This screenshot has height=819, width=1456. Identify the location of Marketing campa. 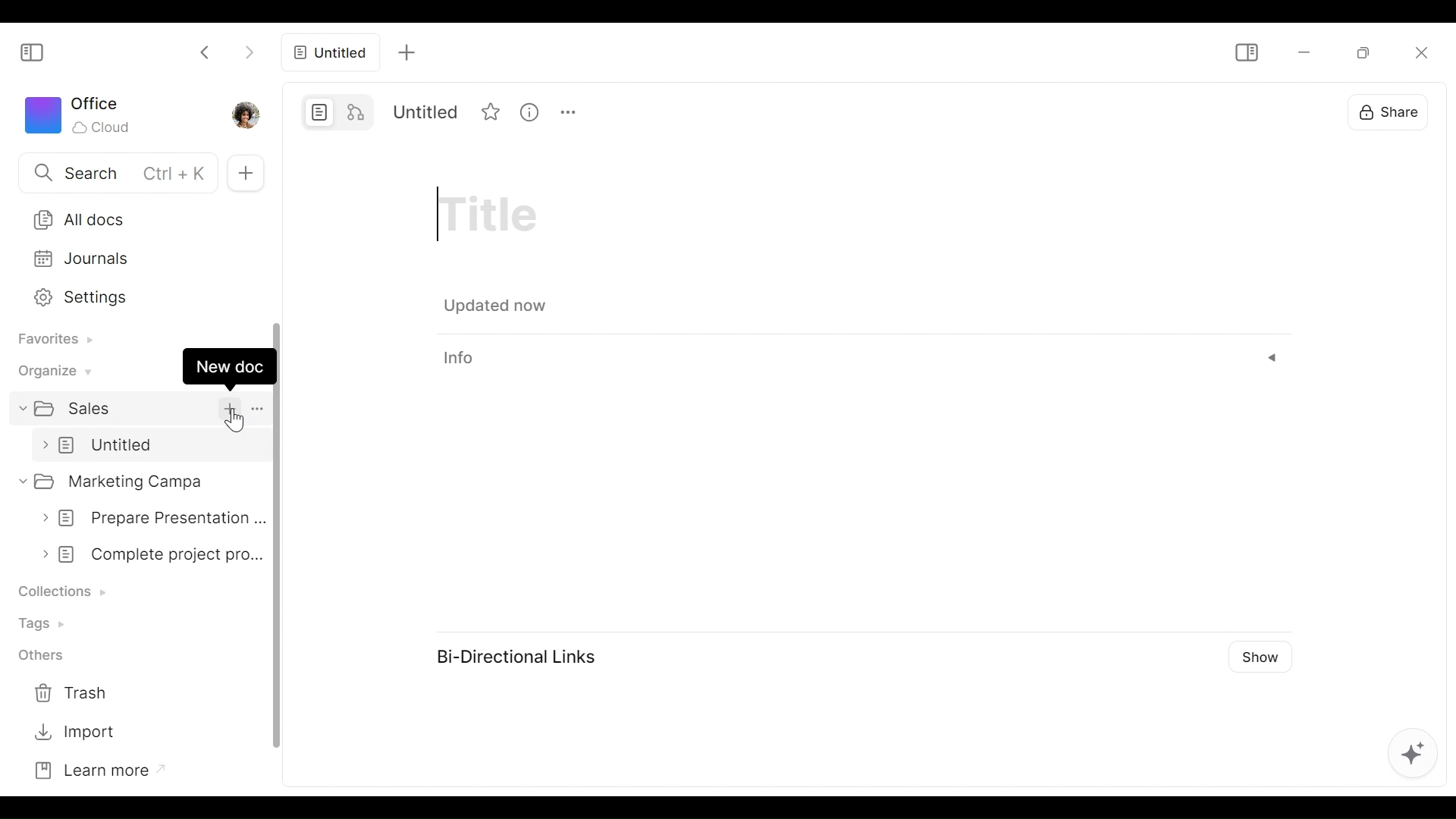
(124, 482).